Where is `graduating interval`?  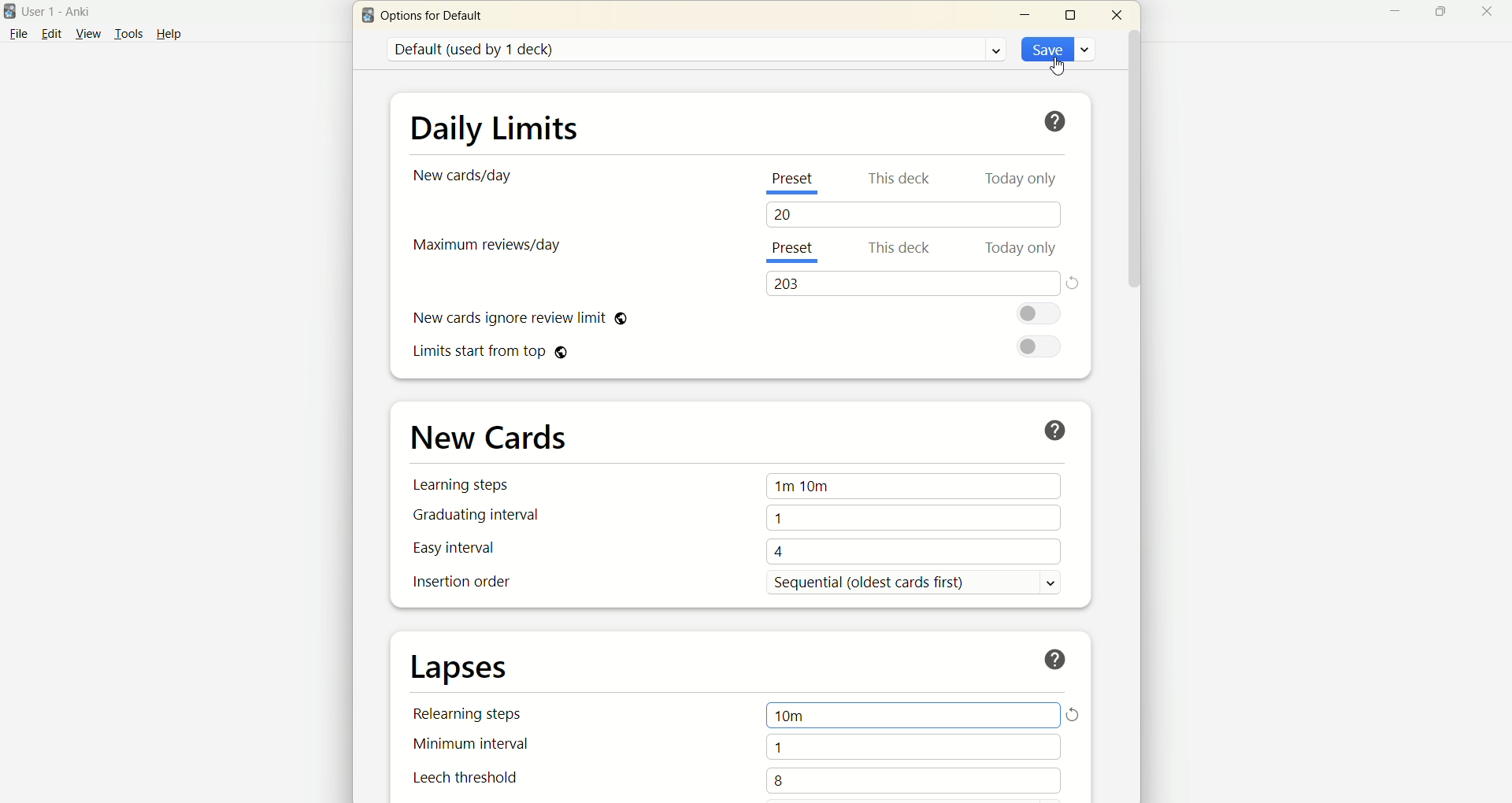 graduating interval is located at coordinates (473, 516).